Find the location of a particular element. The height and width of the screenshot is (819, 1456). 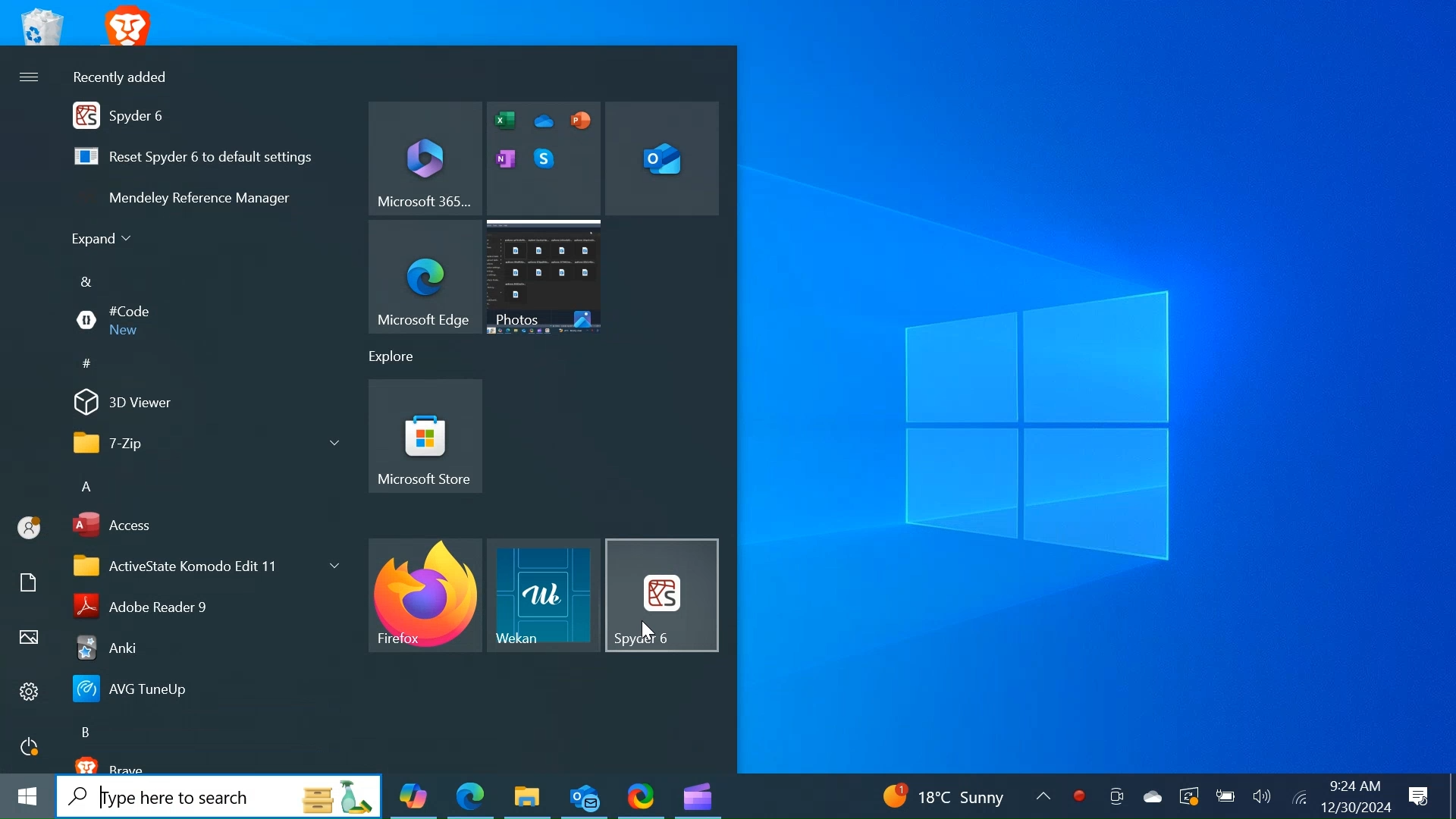

# is located at coordinates (93, 366).